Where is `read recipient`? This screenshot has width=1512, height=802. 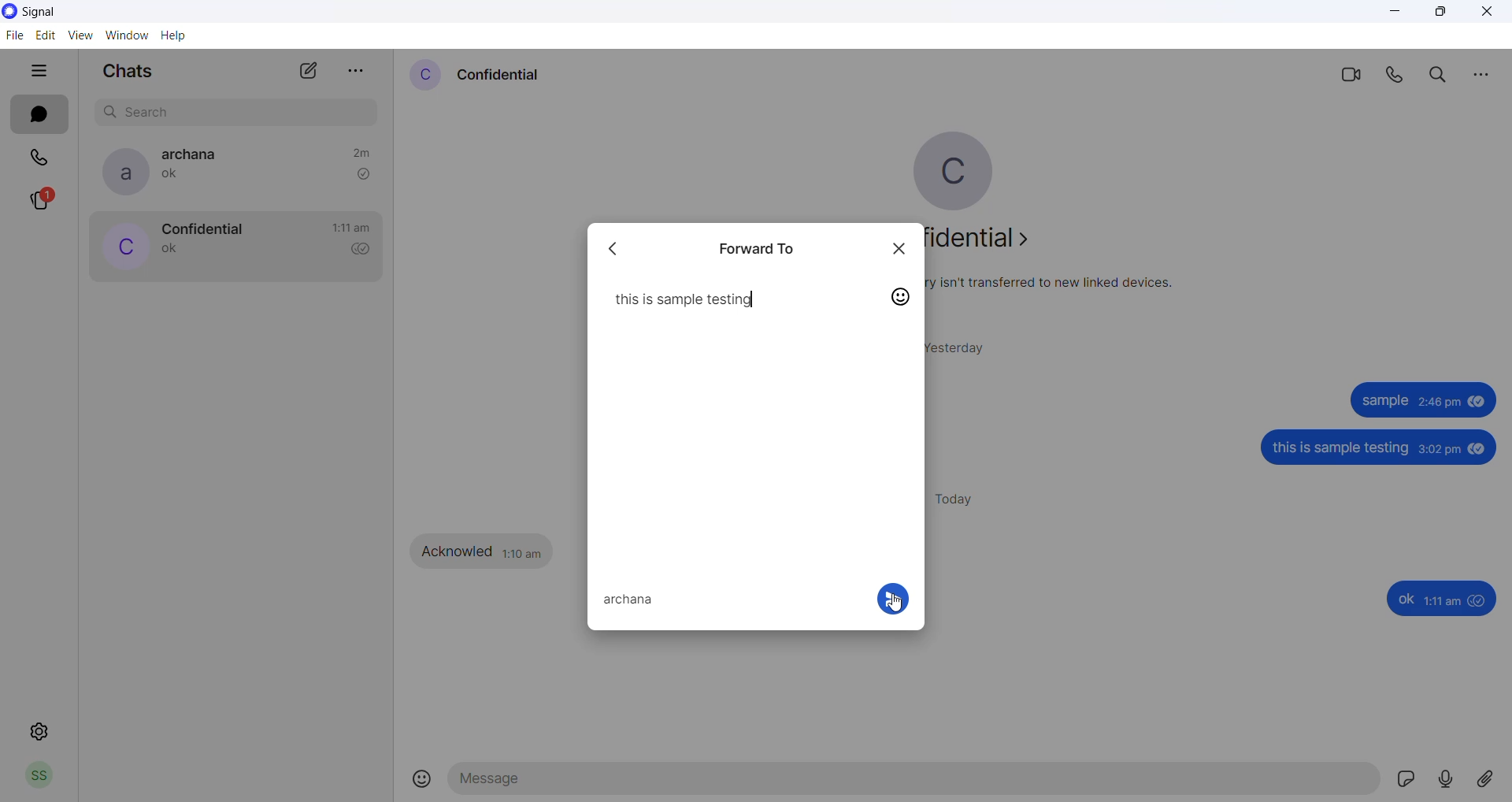 read recipient is located at coordinates (365, 251).